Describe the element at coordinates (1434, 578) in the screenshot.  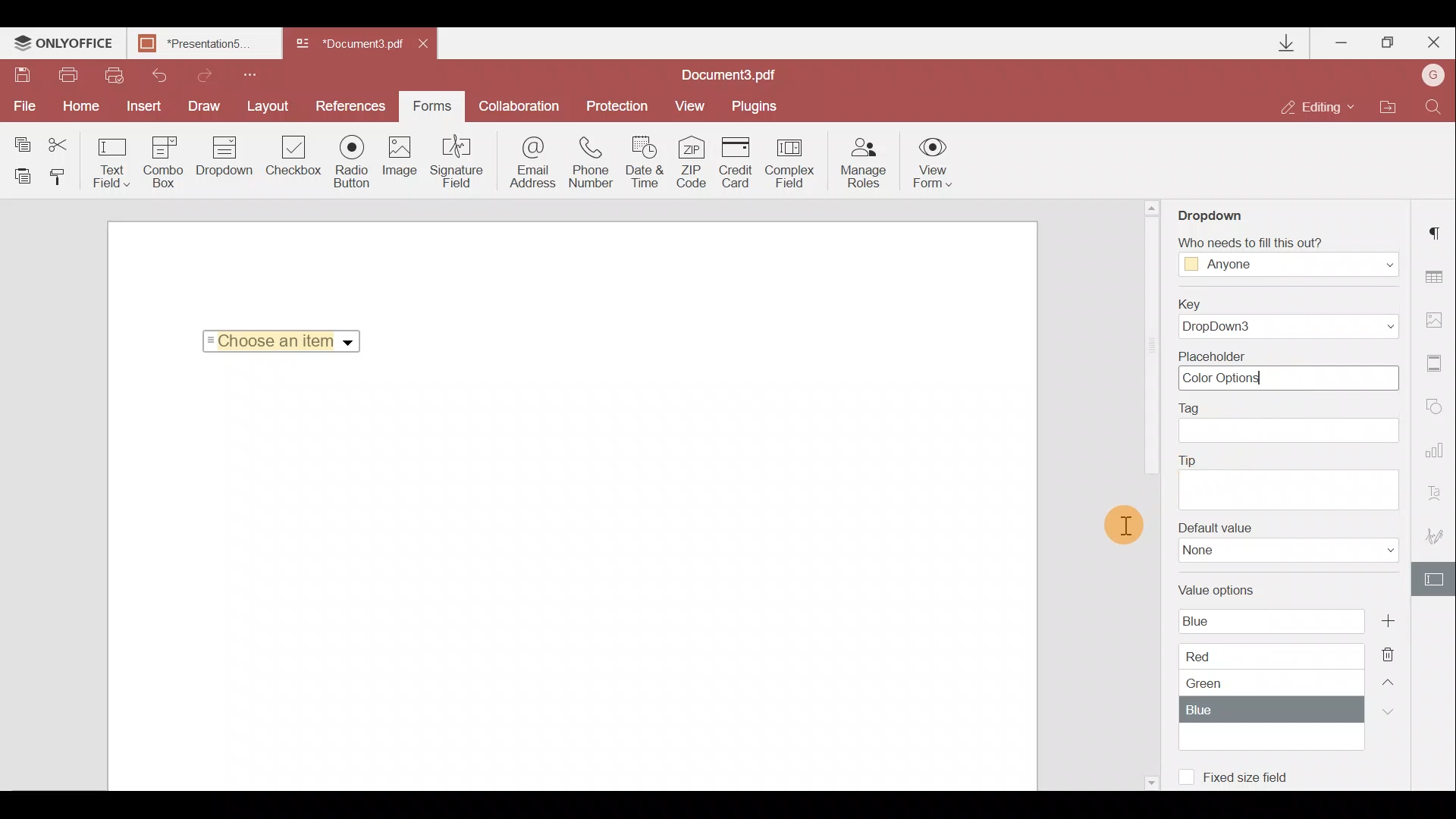
I see `Form settings` at that location.